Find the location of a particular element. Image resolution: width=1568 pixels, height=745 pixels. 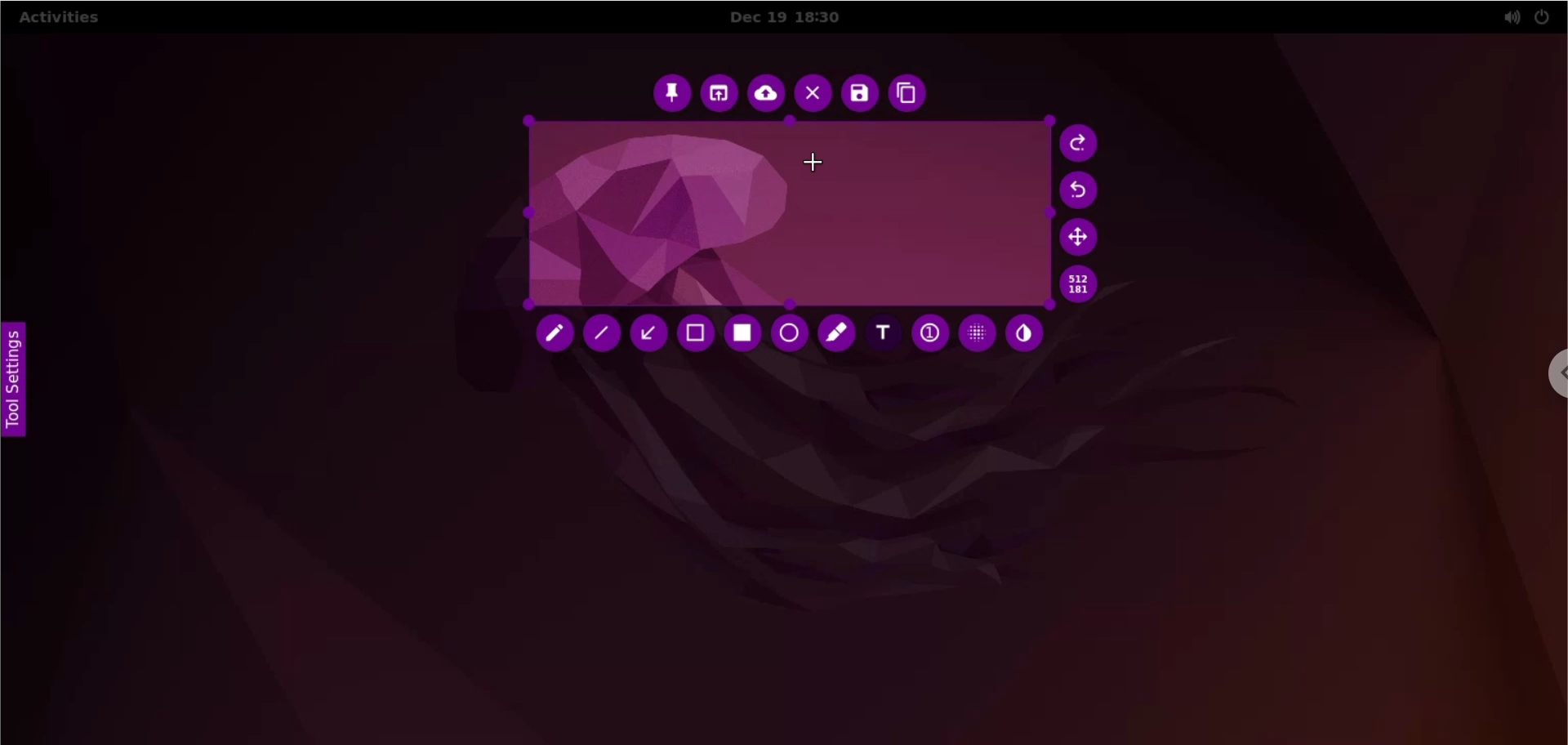

choose app to open screenshot is located at coordinates (719, 95).